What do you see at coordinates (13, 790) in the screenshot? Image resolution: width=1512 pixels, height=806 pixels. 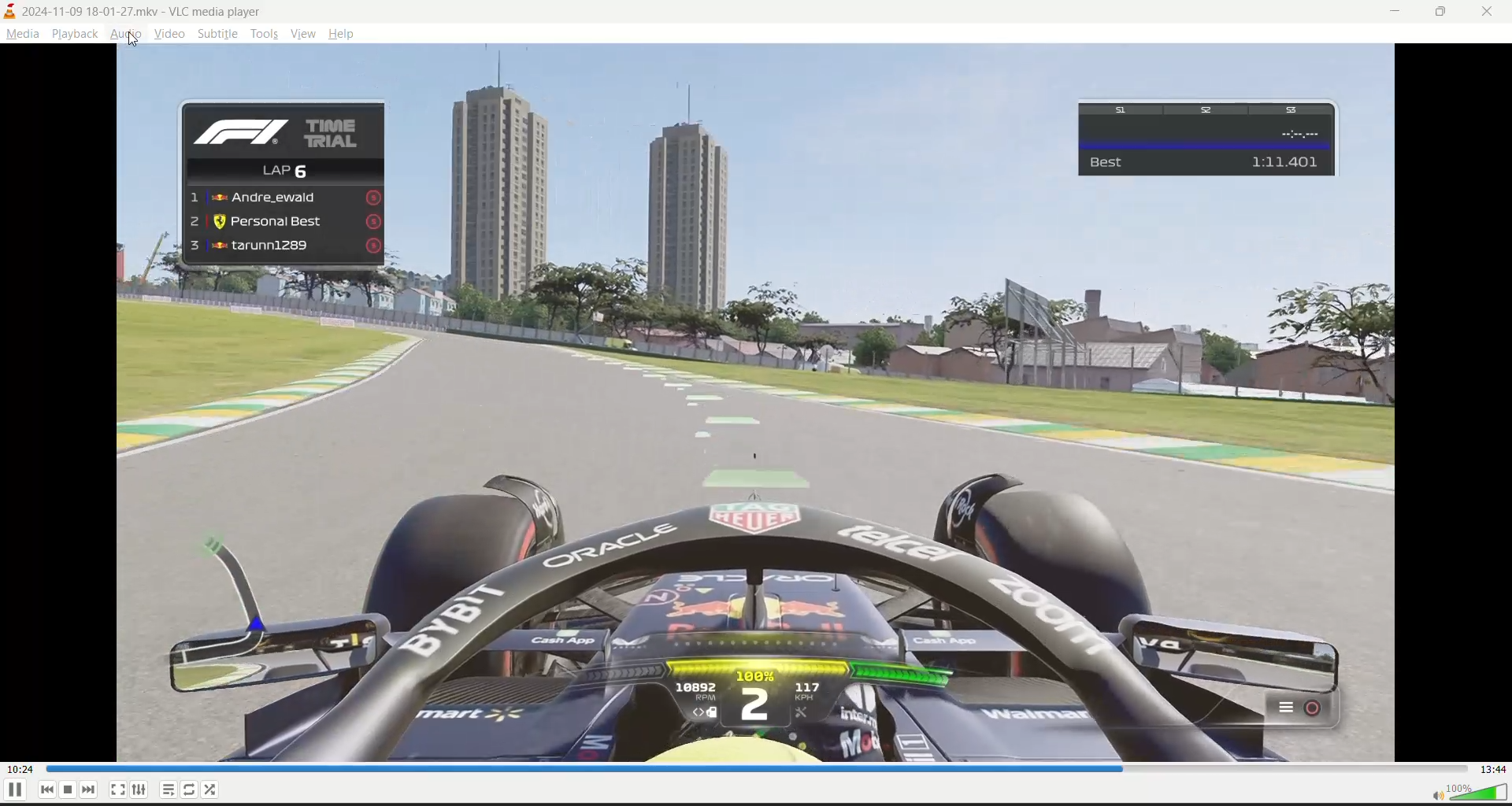 I see `pause` at bounding box center [13, 790].